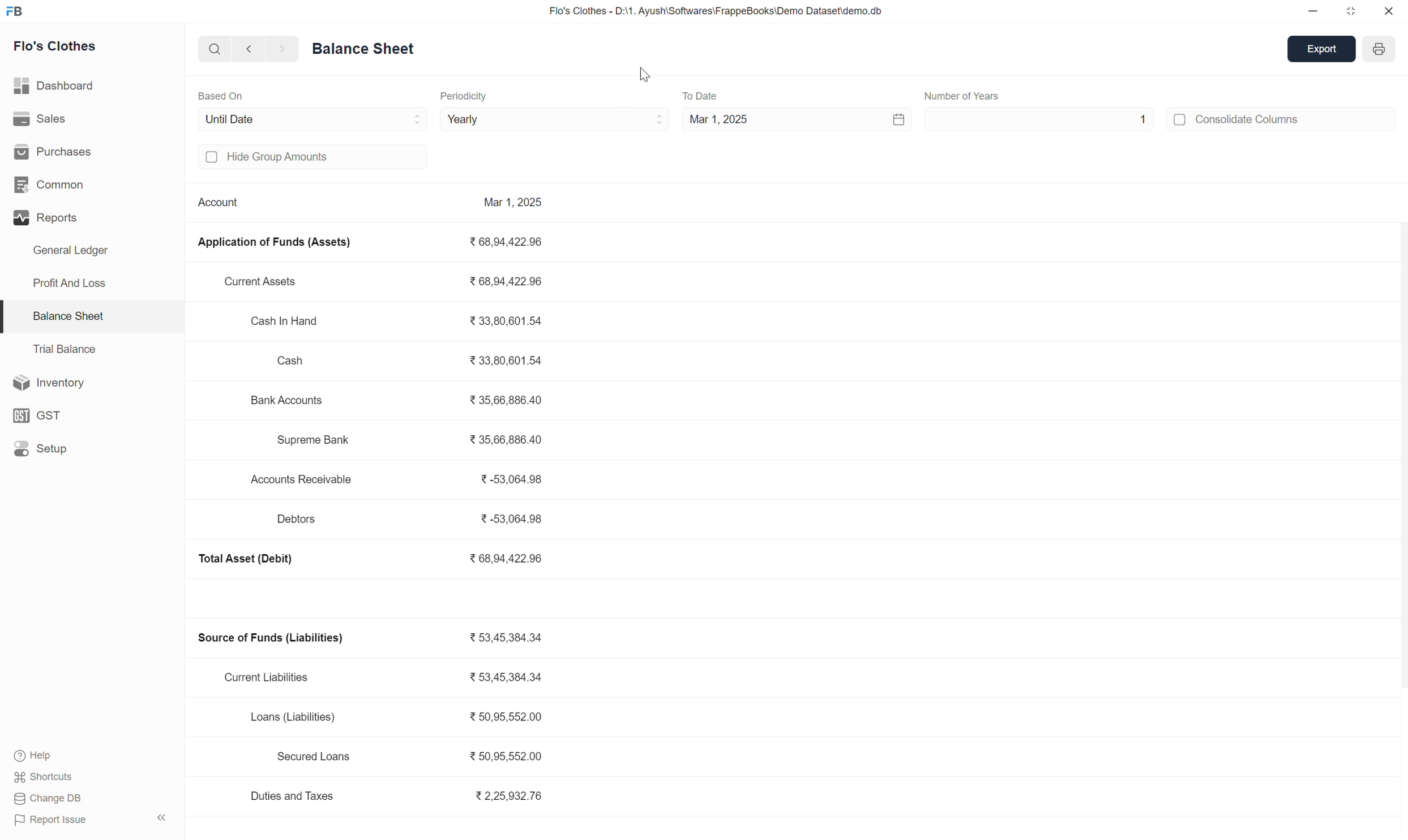 The image size is (1408, 840). Describe the element at coordinates (511, 282) in the screenshot. I see `68,94,422.96` at that location.